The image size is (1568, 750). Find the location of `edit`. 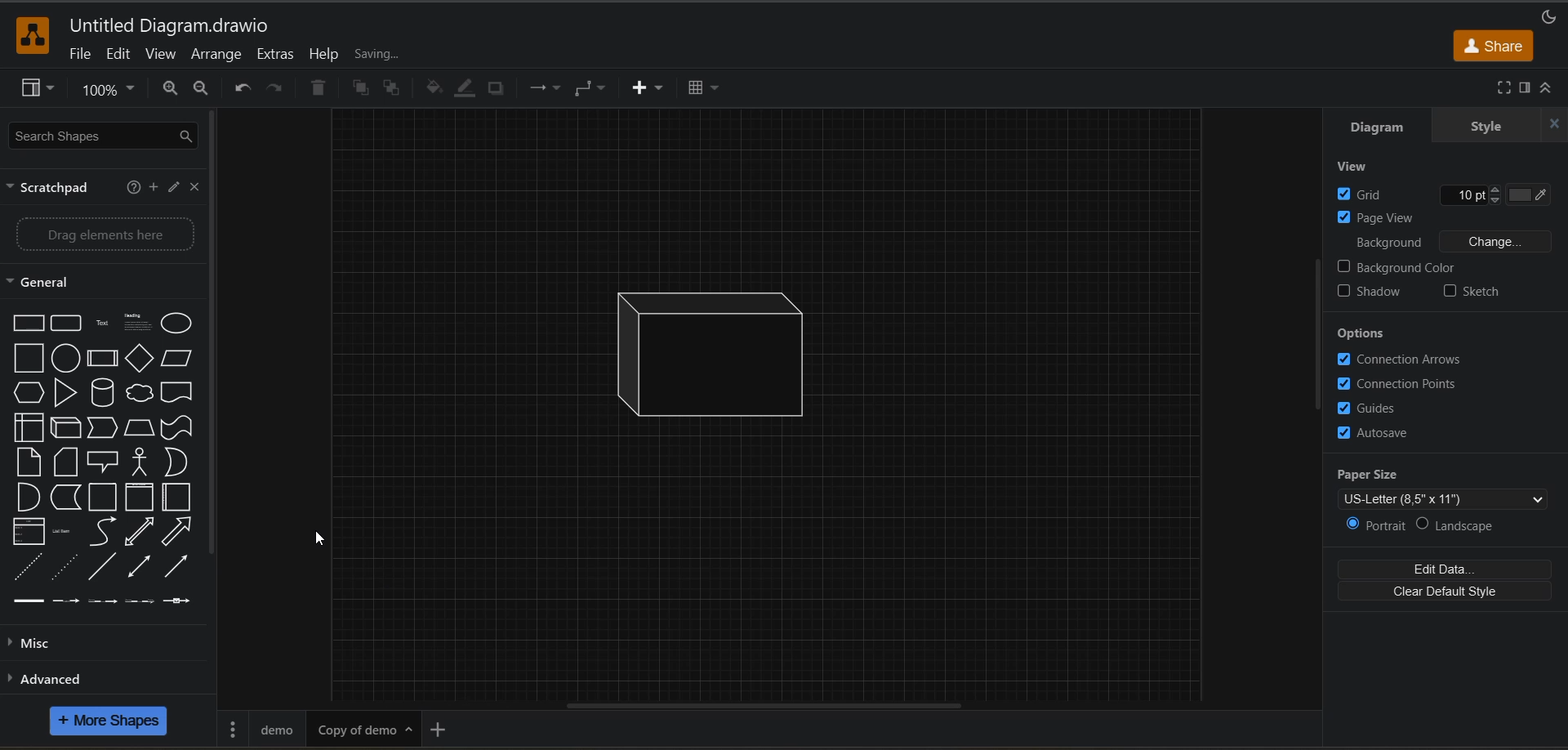

edit is located at coordinates (117, 54).